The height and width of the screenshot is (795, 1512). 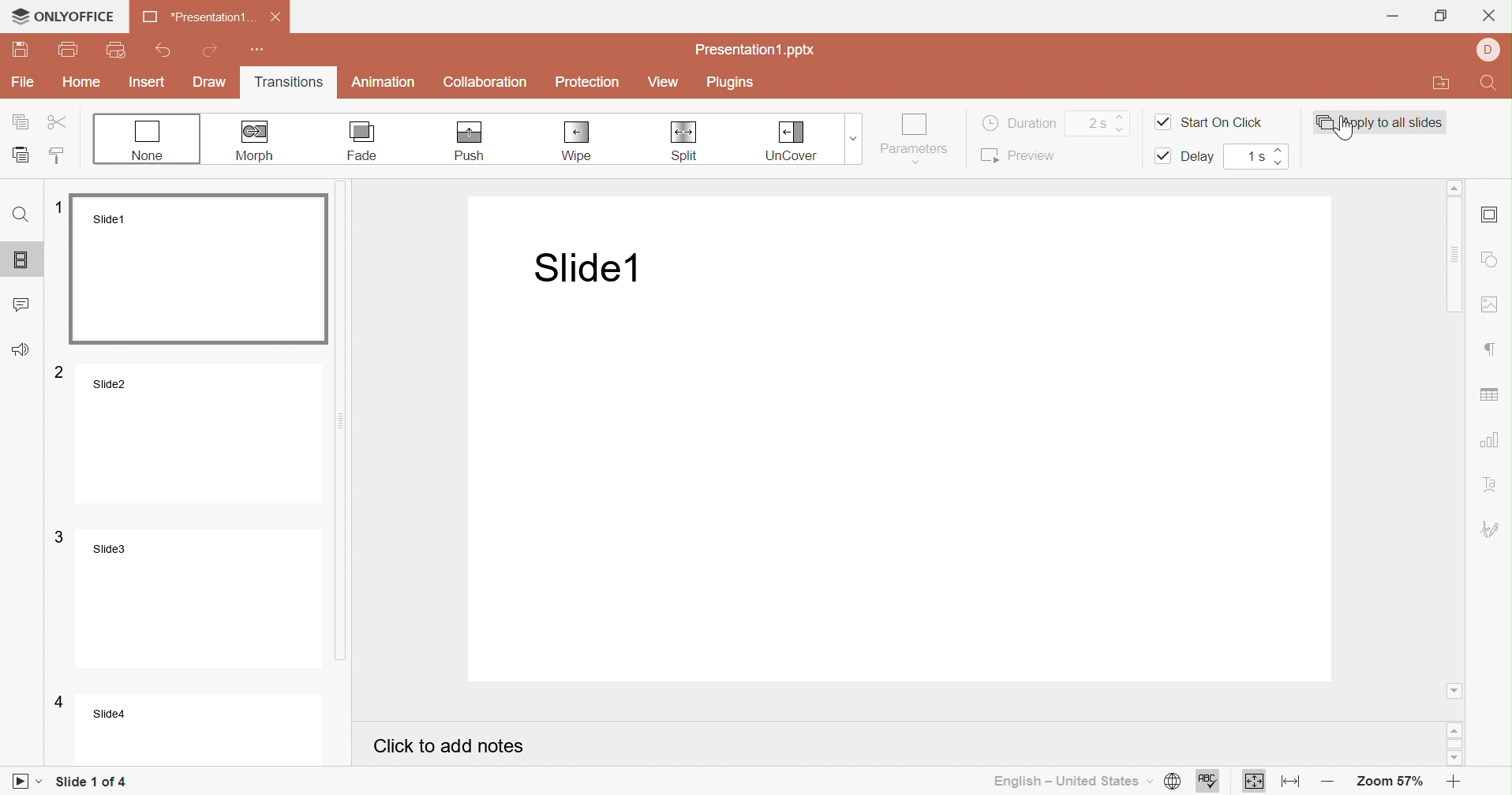 What do you see at coordinates (1293, 783) in the screenshot?
I see `Fit to width` at bounding box center [1293, 783].